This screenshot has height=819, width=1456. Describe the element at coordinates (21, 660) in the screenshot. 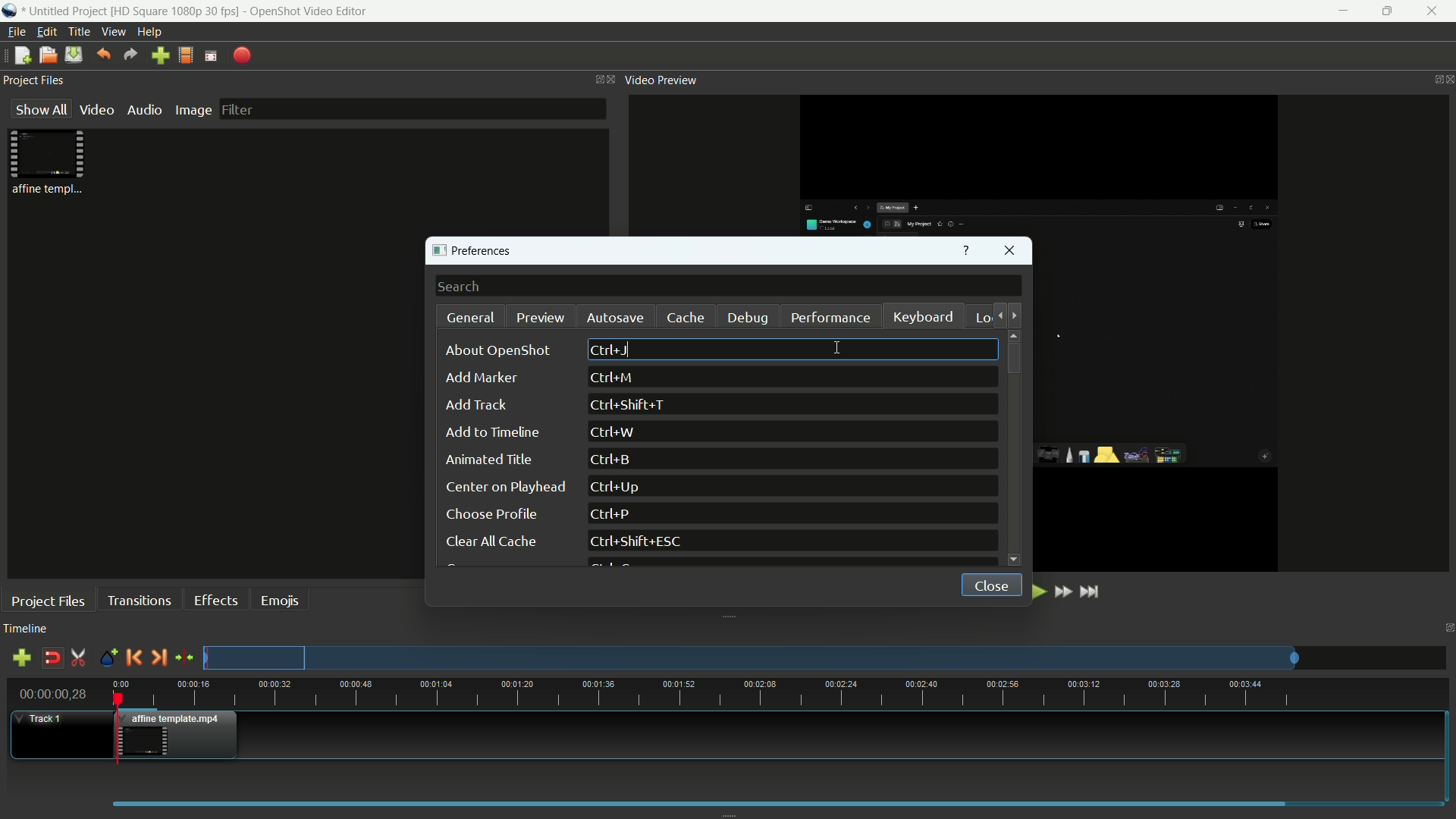

I see `add track` at that location.